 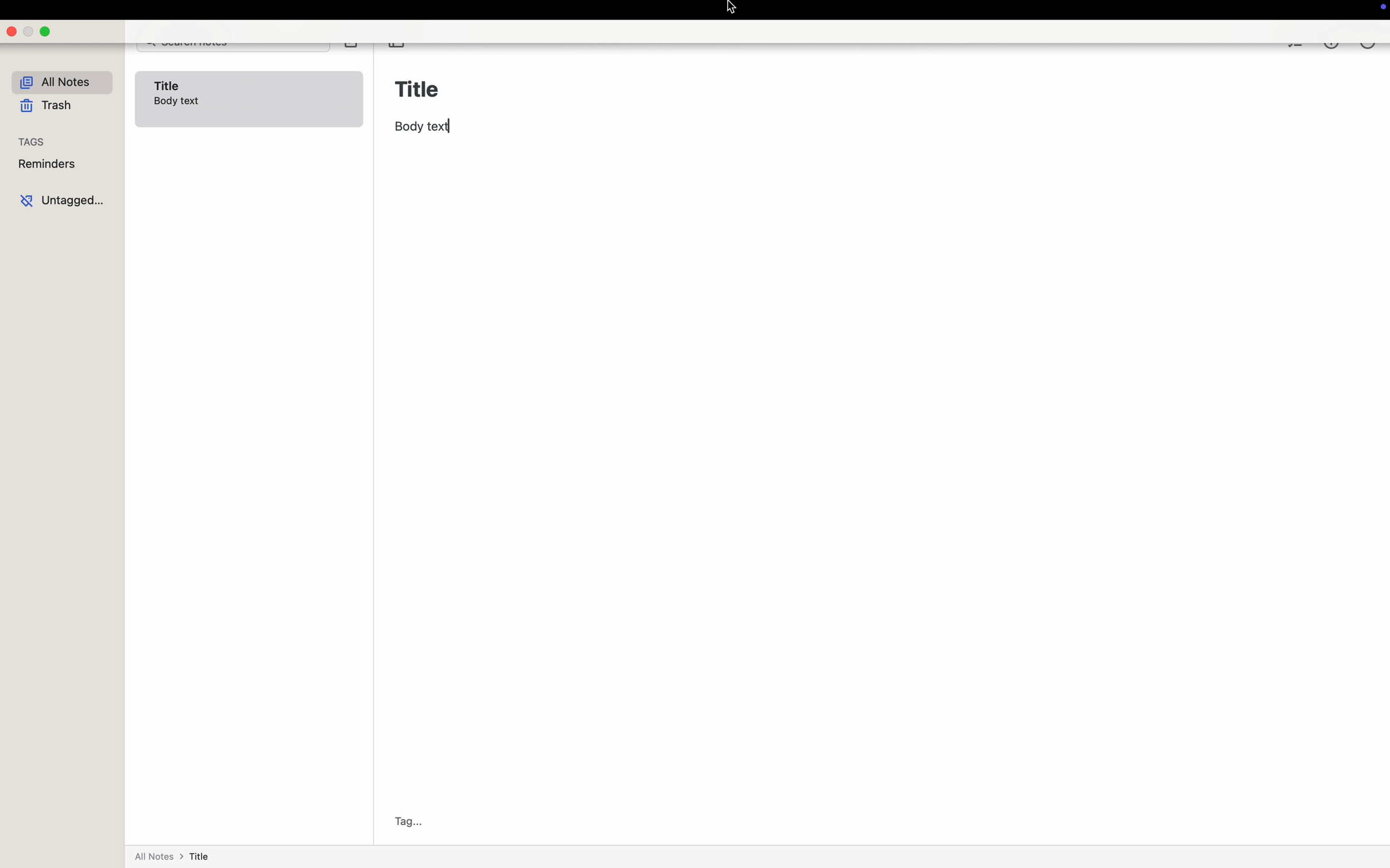 What do you see at coordinates (423, 126) in the screenshot?
I see `body text` at bounding box center [423, 126].